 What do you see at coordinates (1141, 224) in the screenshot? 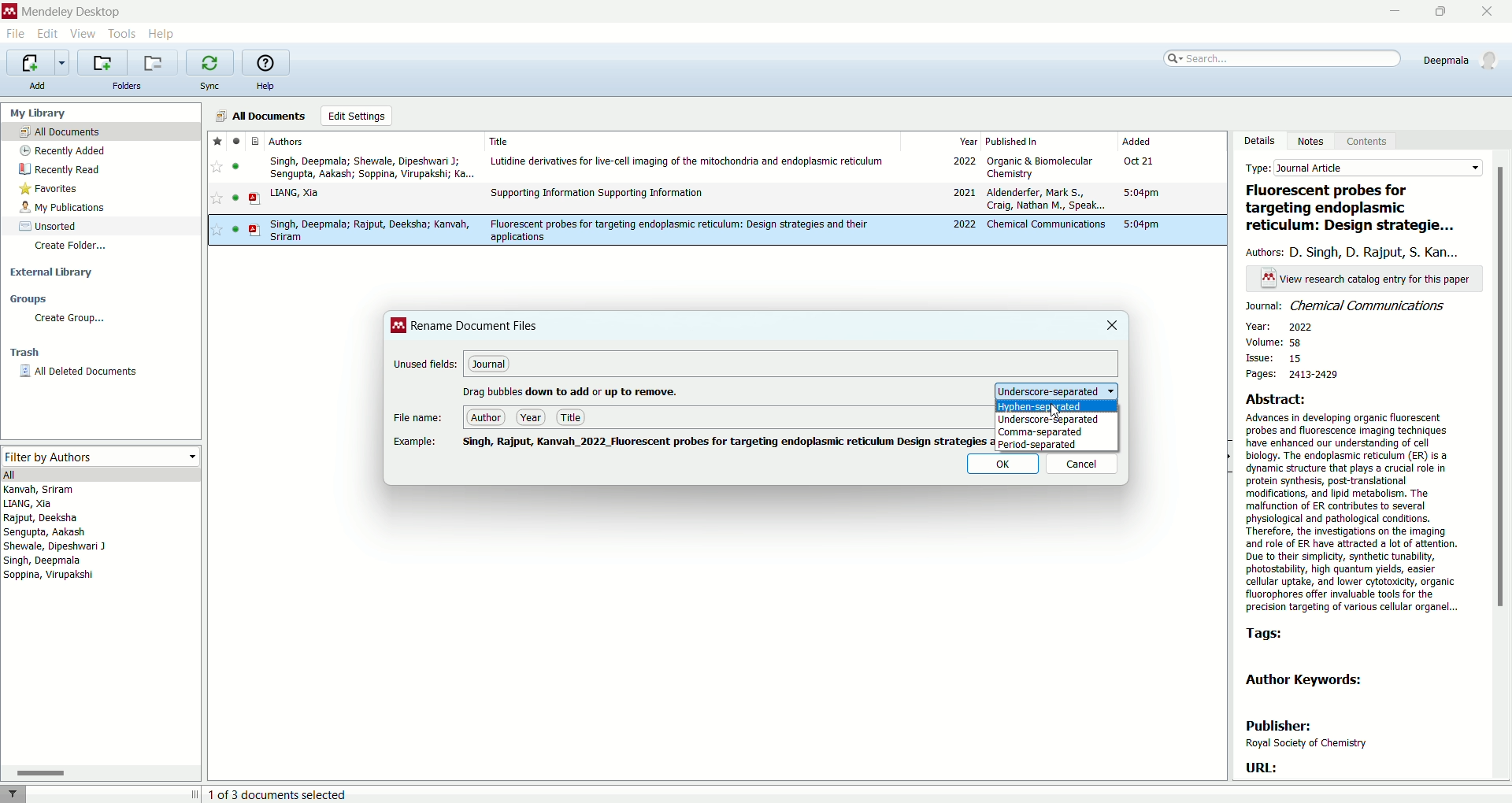
I see `5:04pm` at bounding box center [1141, 224].